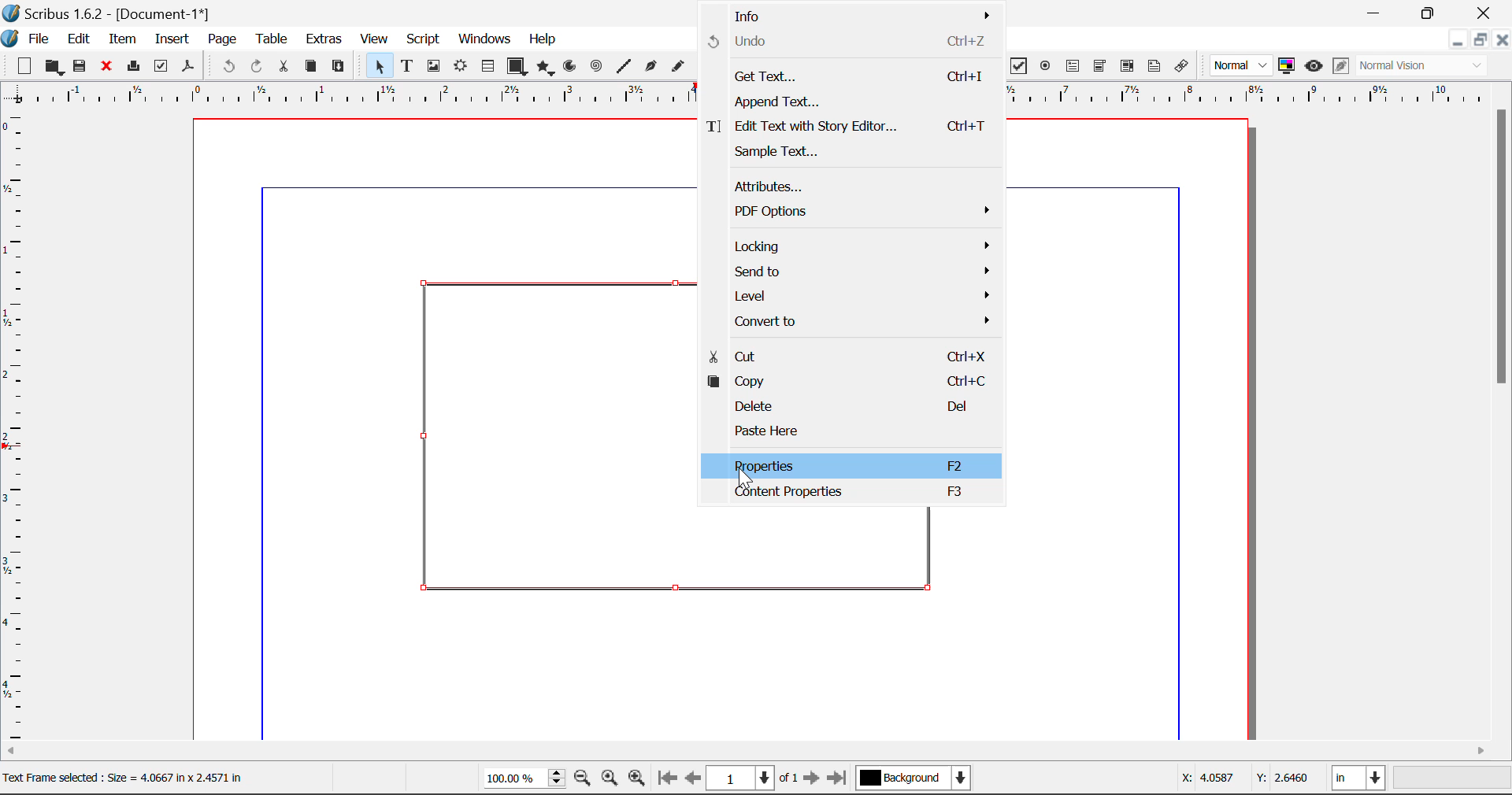 The height and width of the screenshot is (795, 1512). What do you see at coordinates (757, 752) in the screenshot?
I see `Scroll Bar` at bounding box center [757, 752].